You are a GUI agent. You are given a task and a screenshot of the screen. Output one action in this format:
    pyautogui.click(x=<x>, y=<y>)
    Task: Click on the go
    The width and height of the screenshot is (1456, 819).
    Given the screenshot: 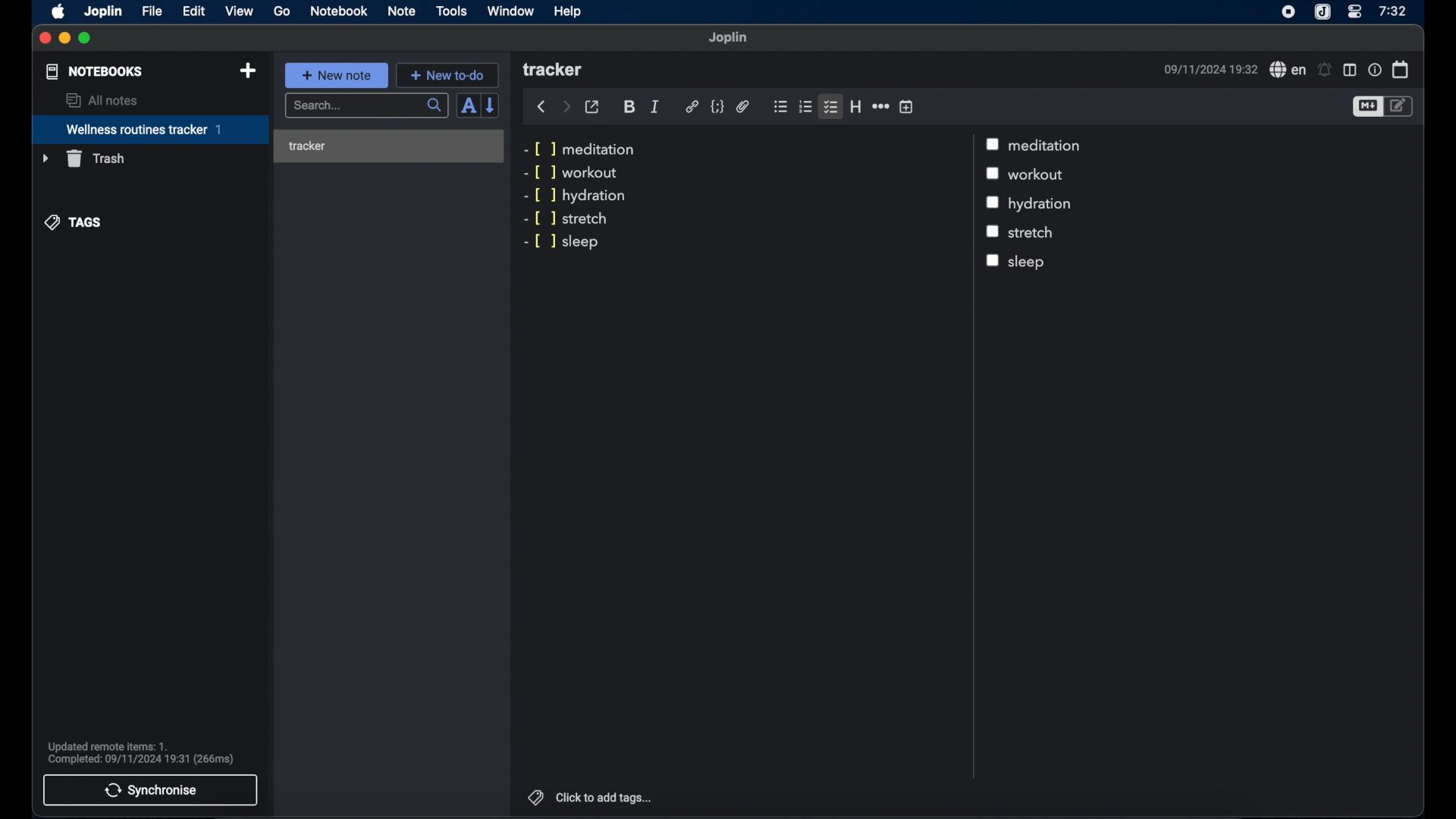 What is the action you would take?
    pyautogui.click(x=282, y=11)
    